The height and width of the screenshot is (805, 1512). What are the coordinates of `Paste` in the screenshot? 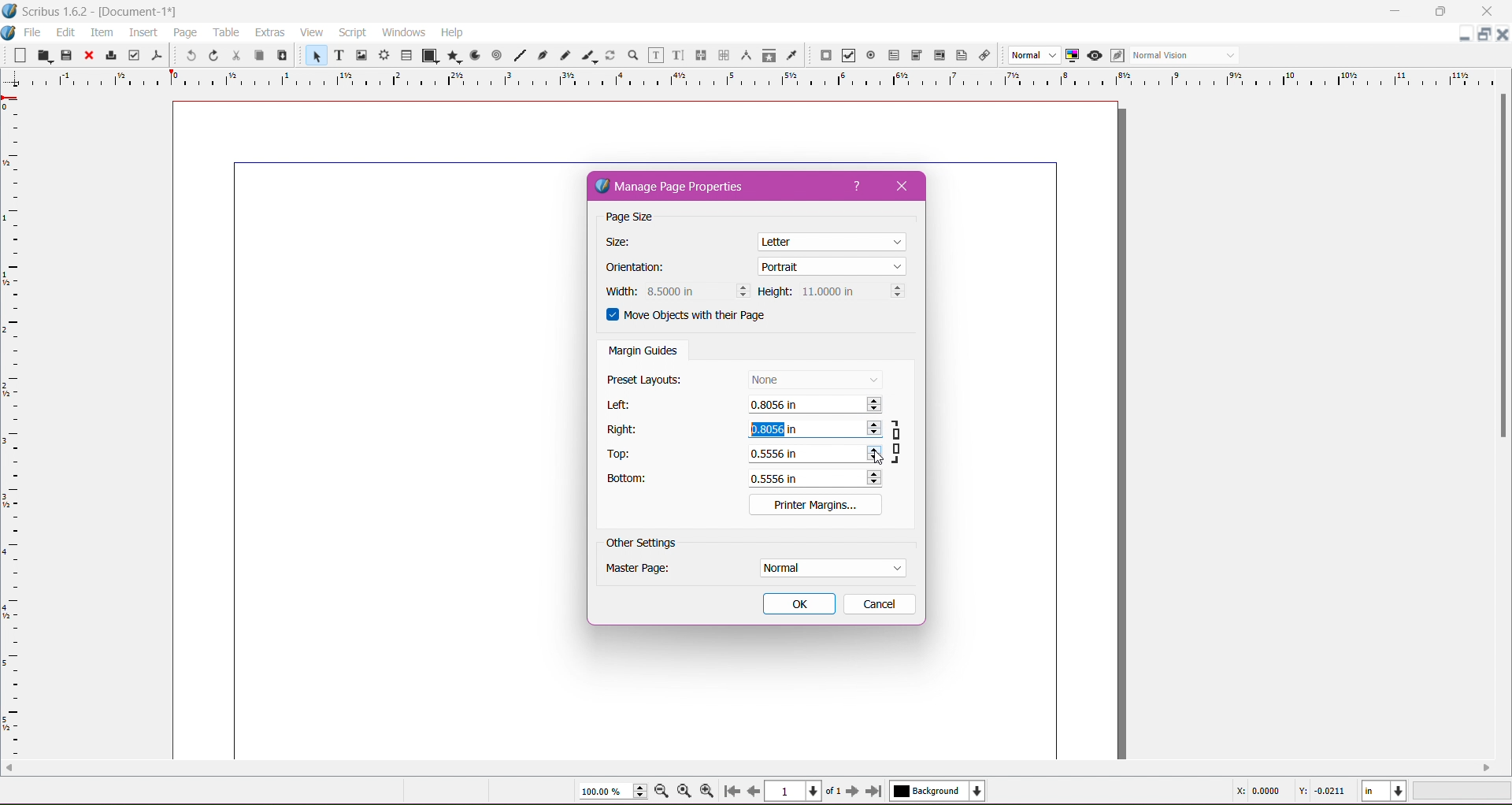 It's located at (282, 56).